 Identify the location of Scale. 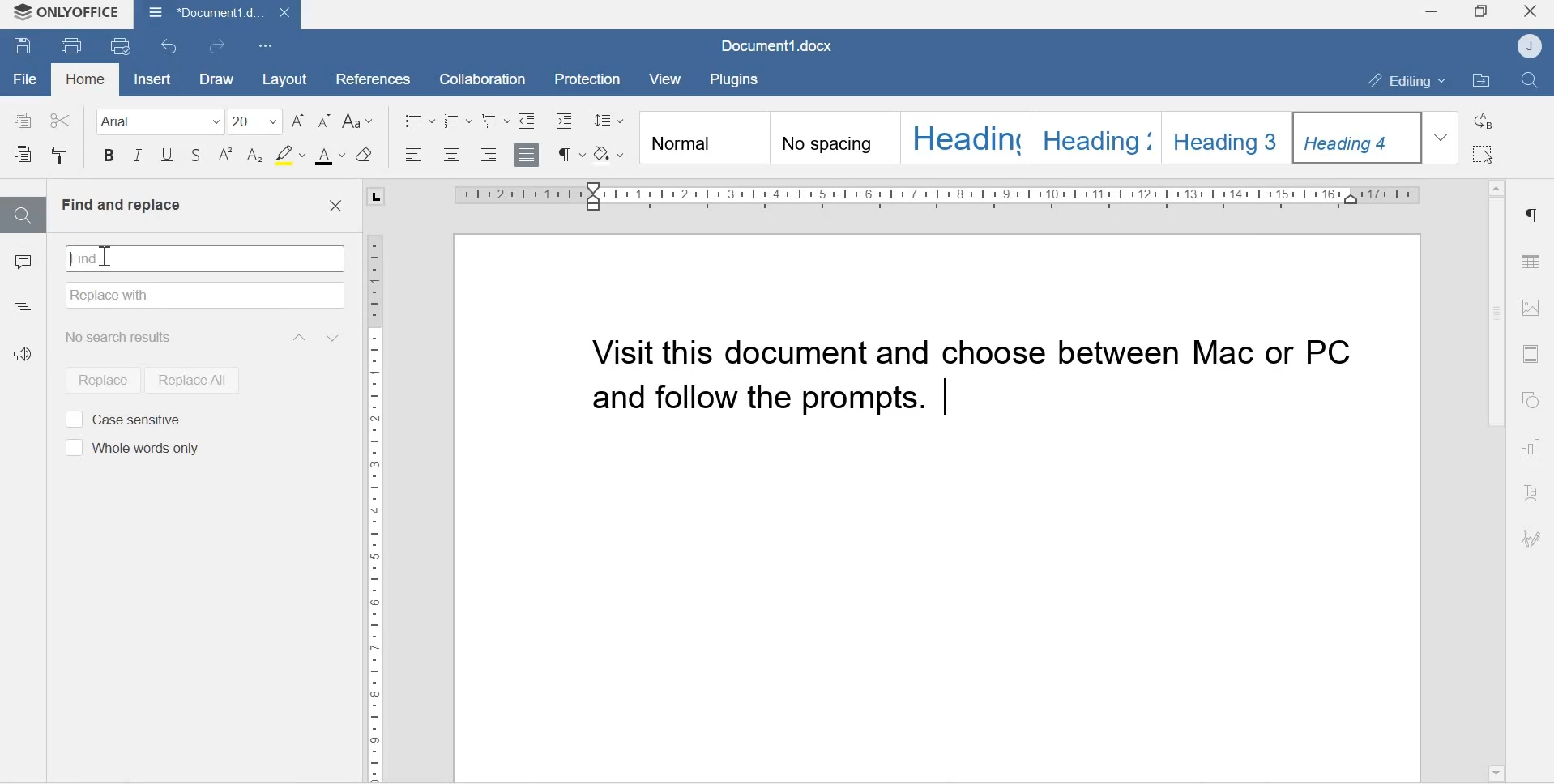
(375, 496).